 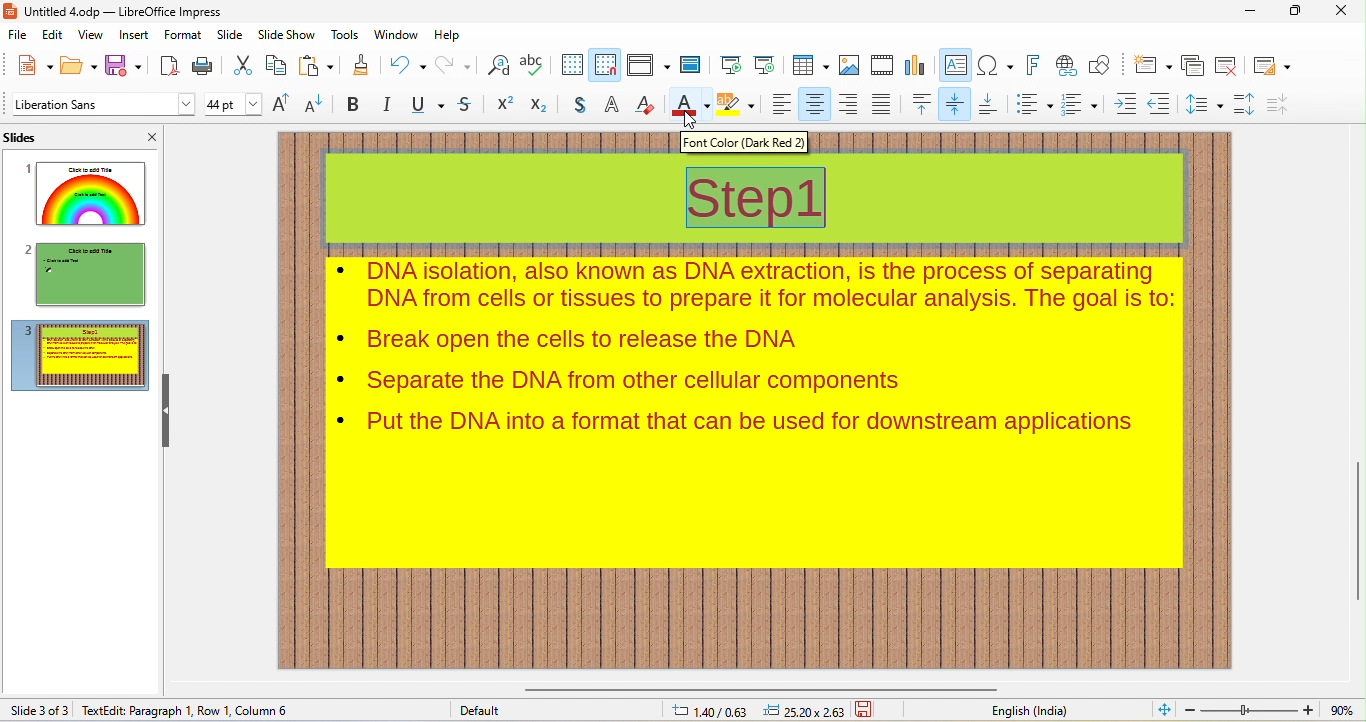 I want to click on justified, so click(x=881, y=104).